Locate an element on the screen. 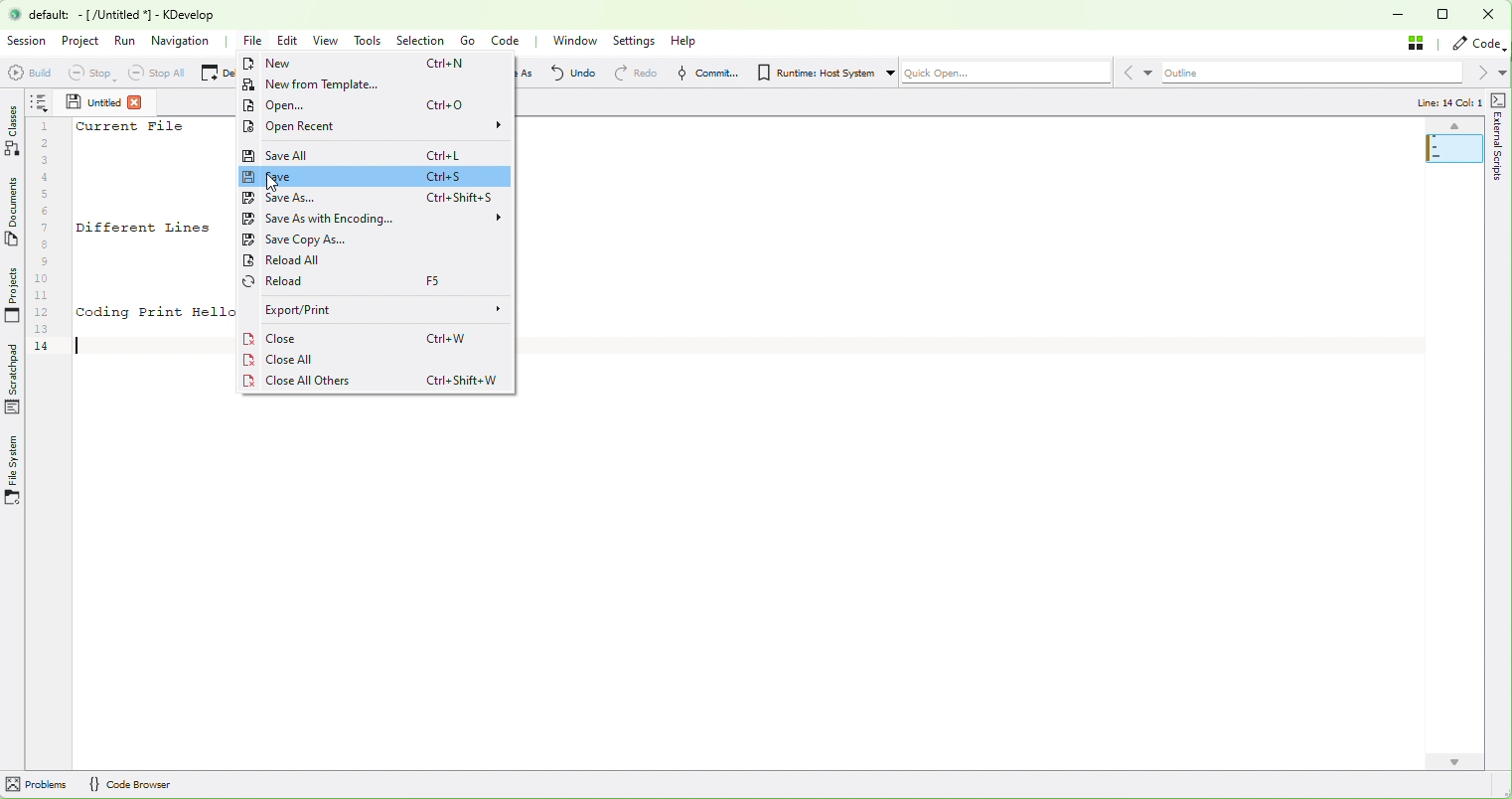  File is located at coordinates (253, 43).